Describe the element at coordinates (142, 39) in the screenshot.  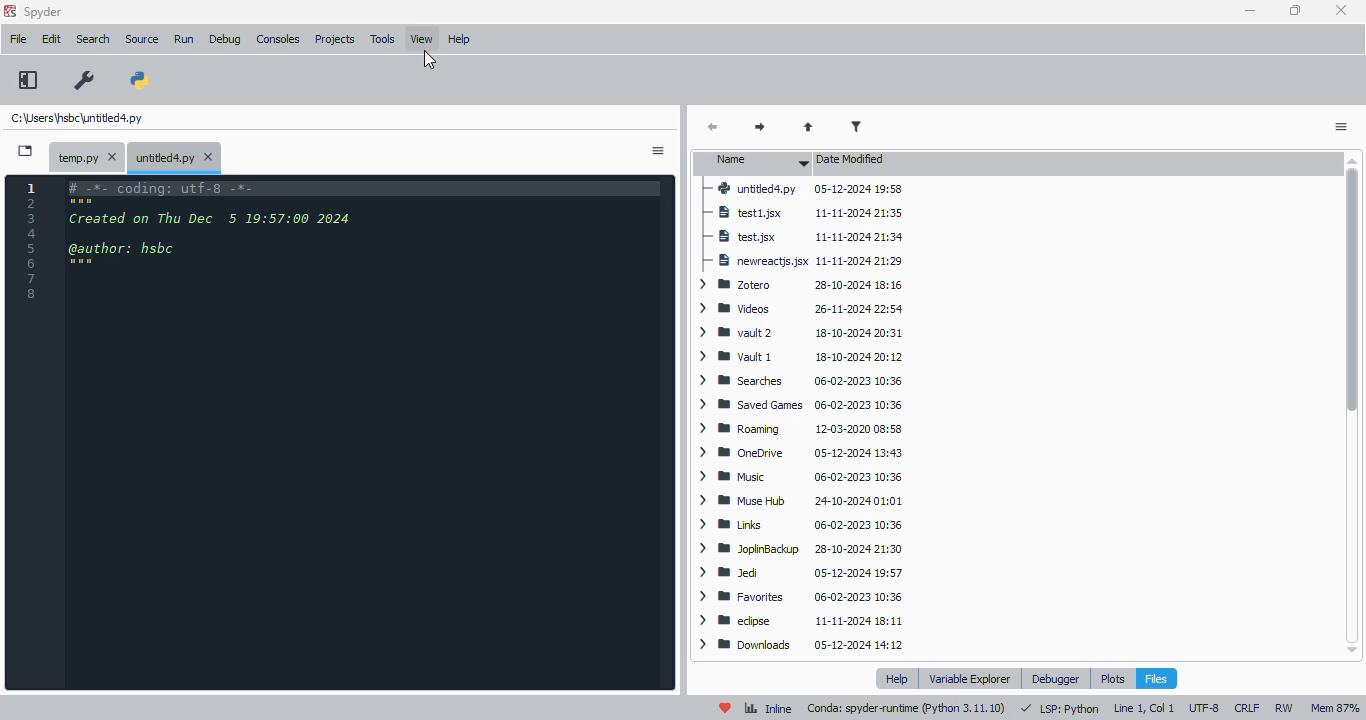
I see `source` at that location.